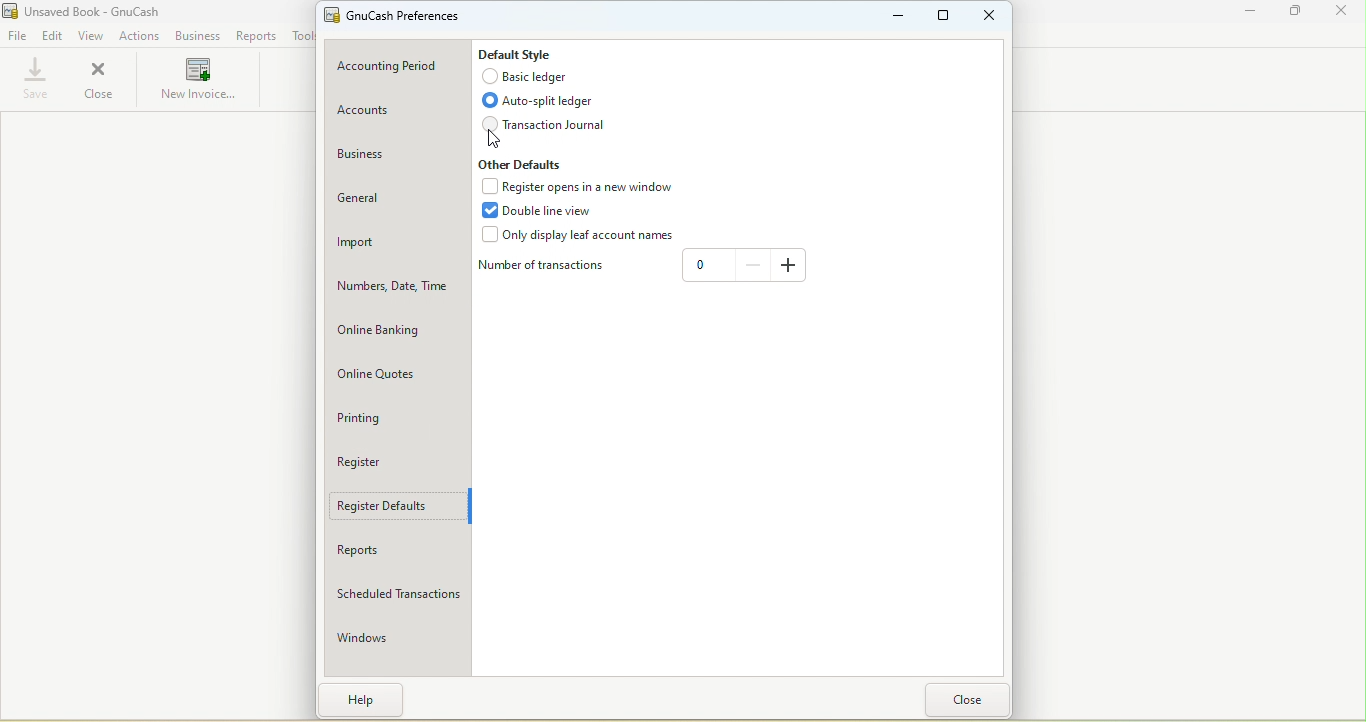 This screenshot has height=722, width=1366. What do you see at coordinates (396, 421) in the screenshot?
I see `Printing` at bounding box center [396, 421].